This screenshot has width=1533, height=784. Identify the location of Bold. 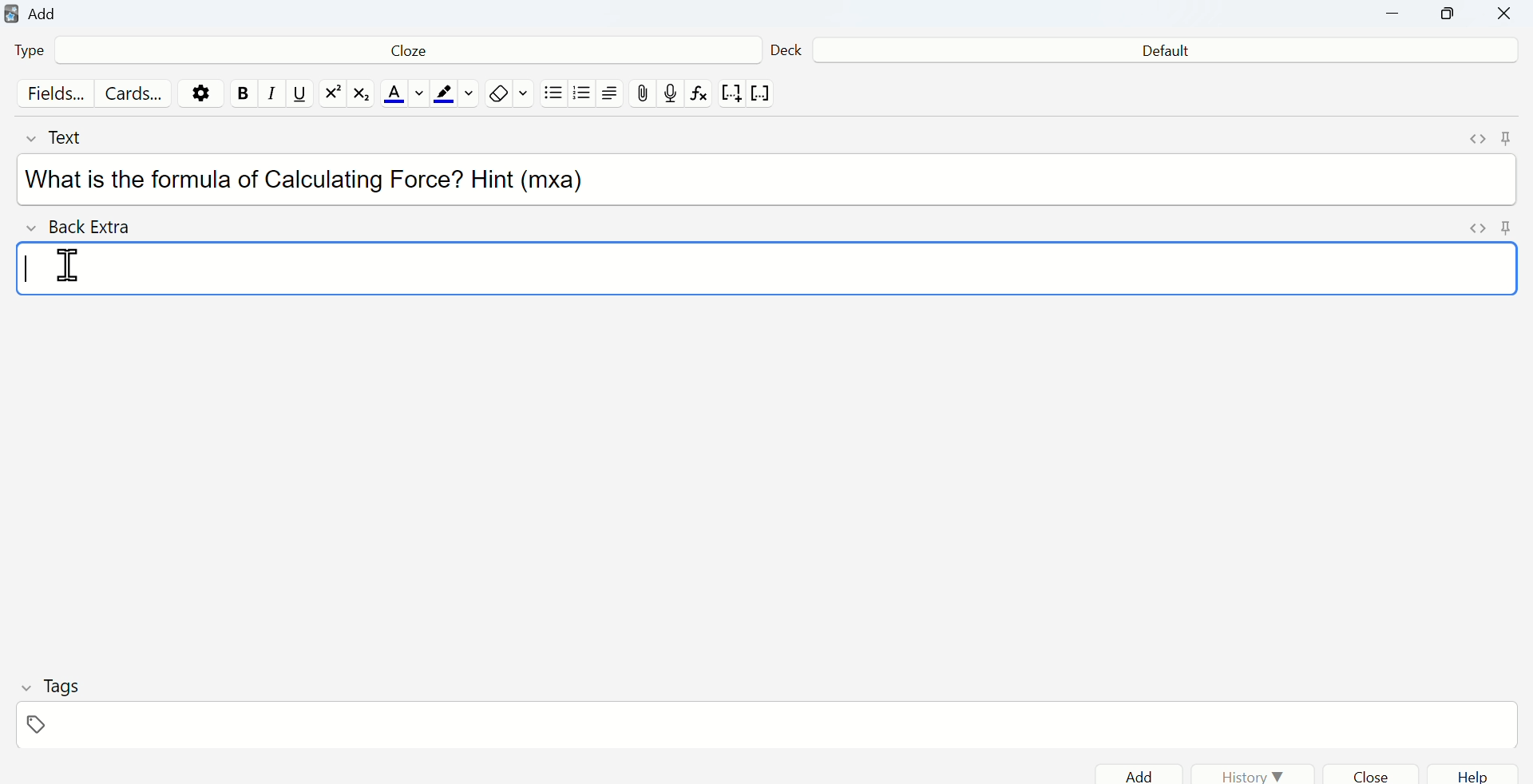
(243, 93).